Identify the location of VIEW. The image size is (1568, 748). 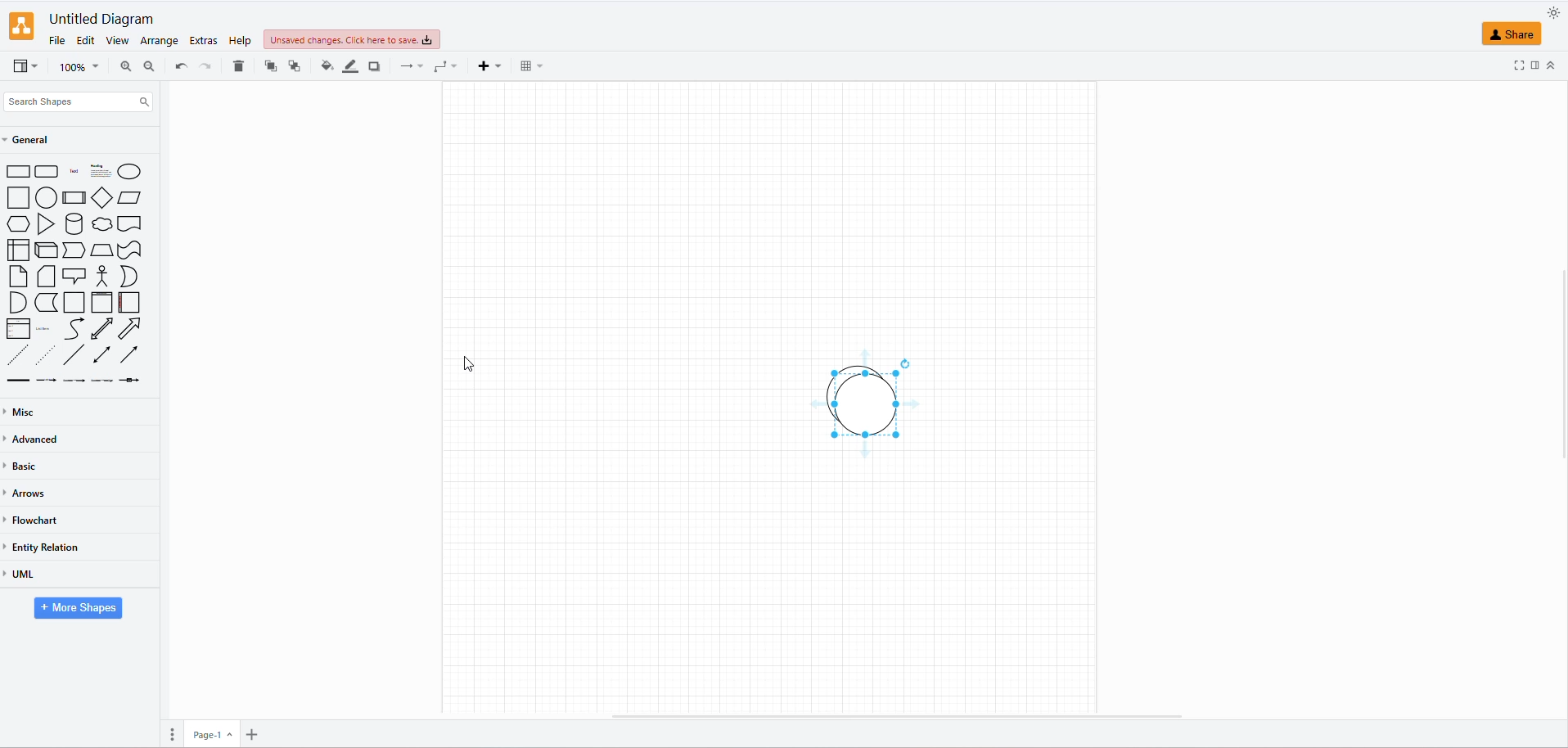
(24, 68).